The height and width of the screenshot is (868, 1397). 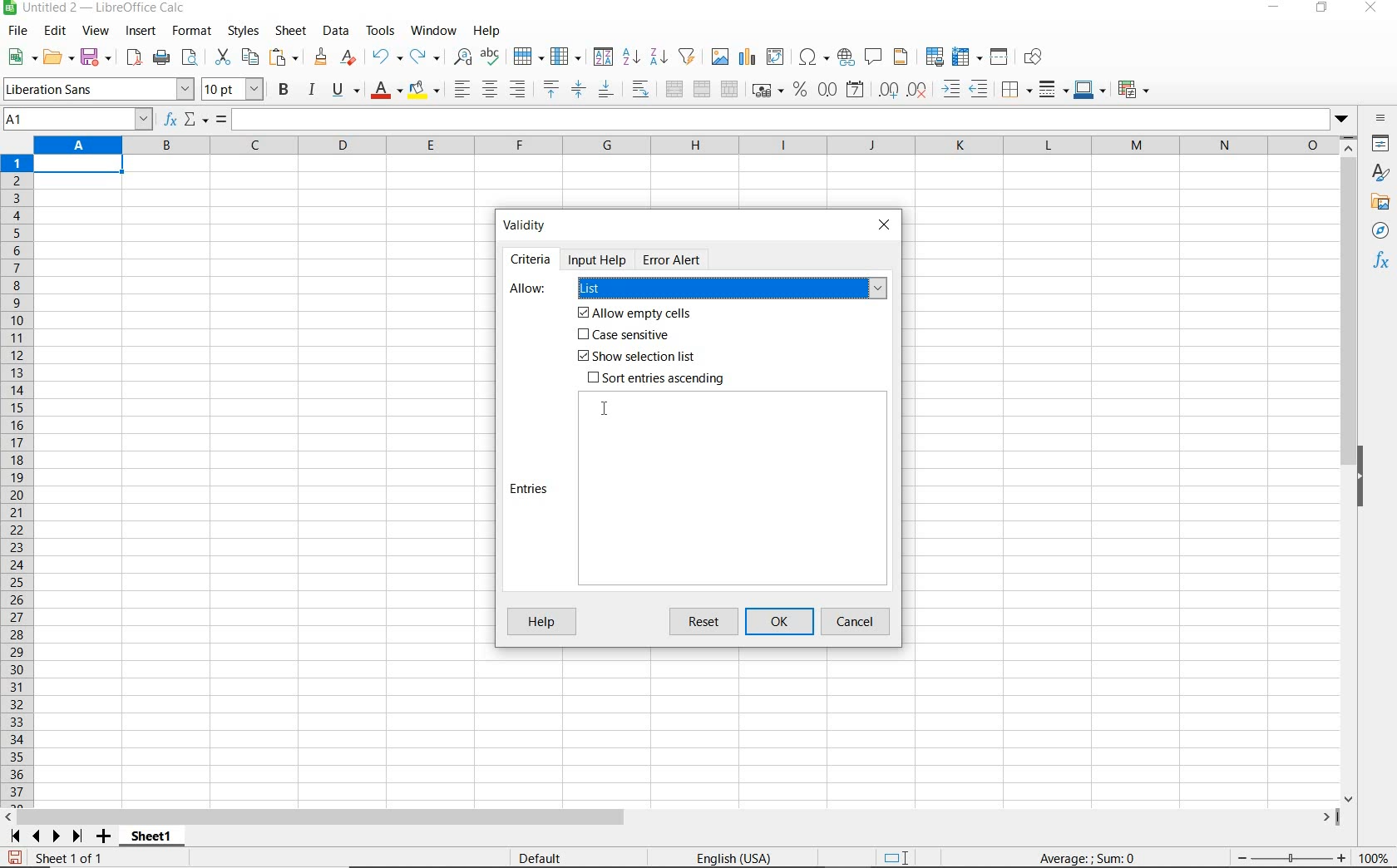 What do you see at coordinates (161, 57) in the screenshot?
I see `print` at bounding box center [161, 57].